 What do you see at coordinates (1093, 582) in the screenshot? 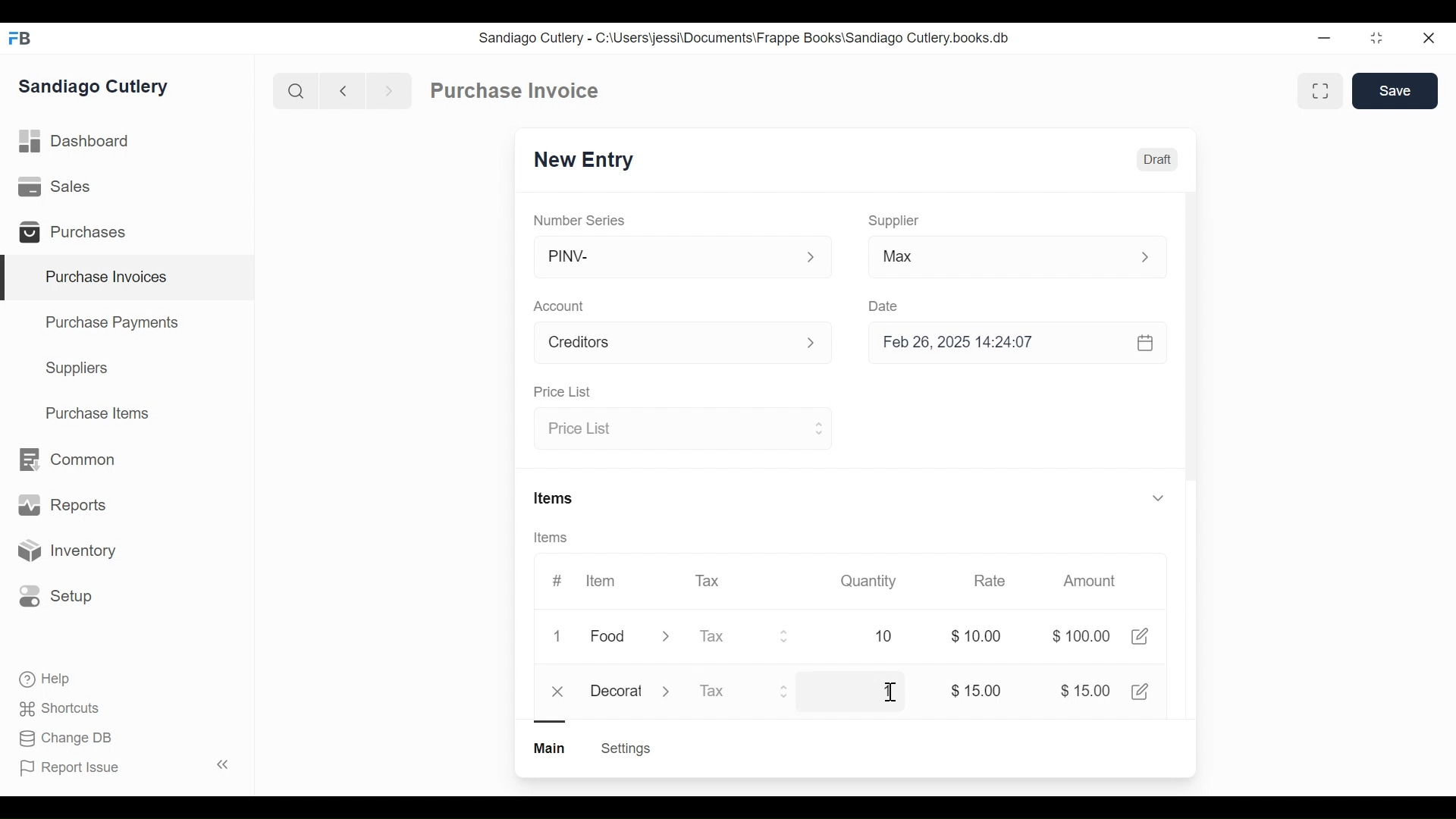
I see `Amount` at bounding box center [1093, 582].